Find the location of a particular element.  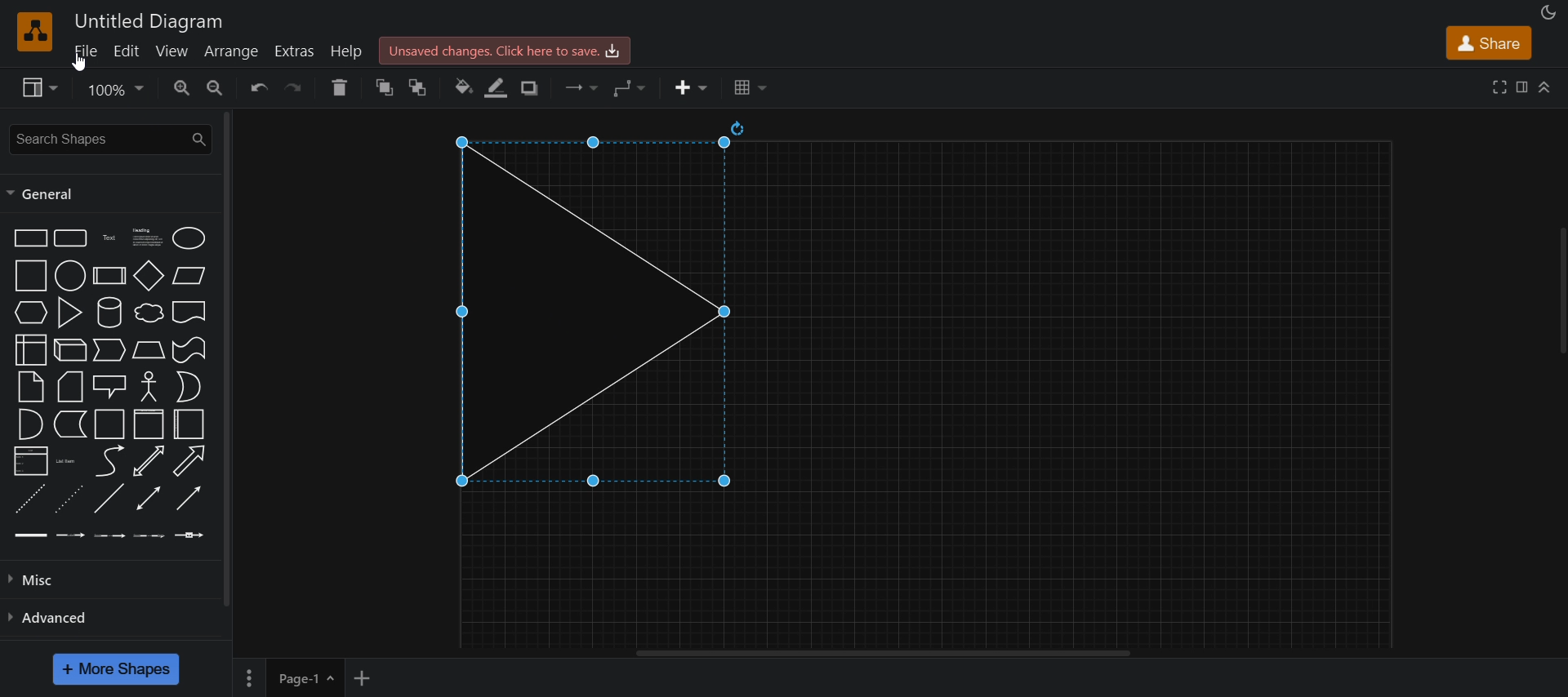

and is located at coordinates (31, 424).